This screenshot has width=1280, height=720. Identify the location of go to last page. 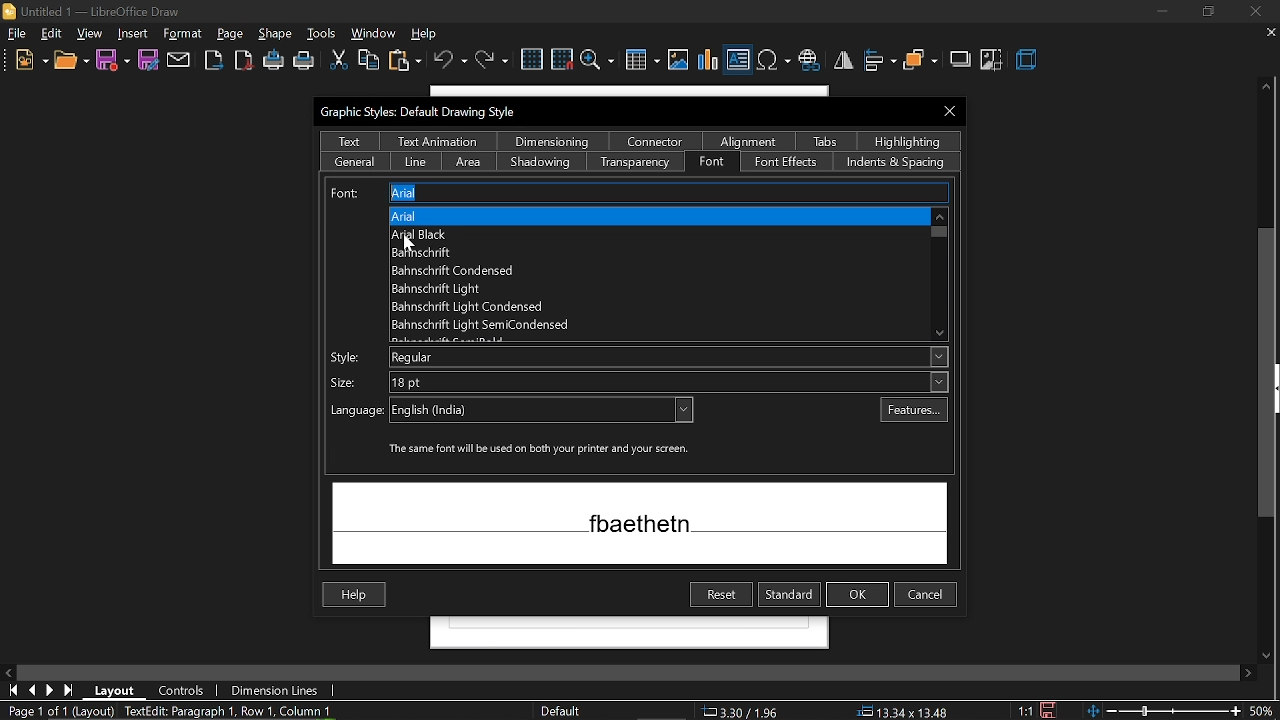
(69, 691).